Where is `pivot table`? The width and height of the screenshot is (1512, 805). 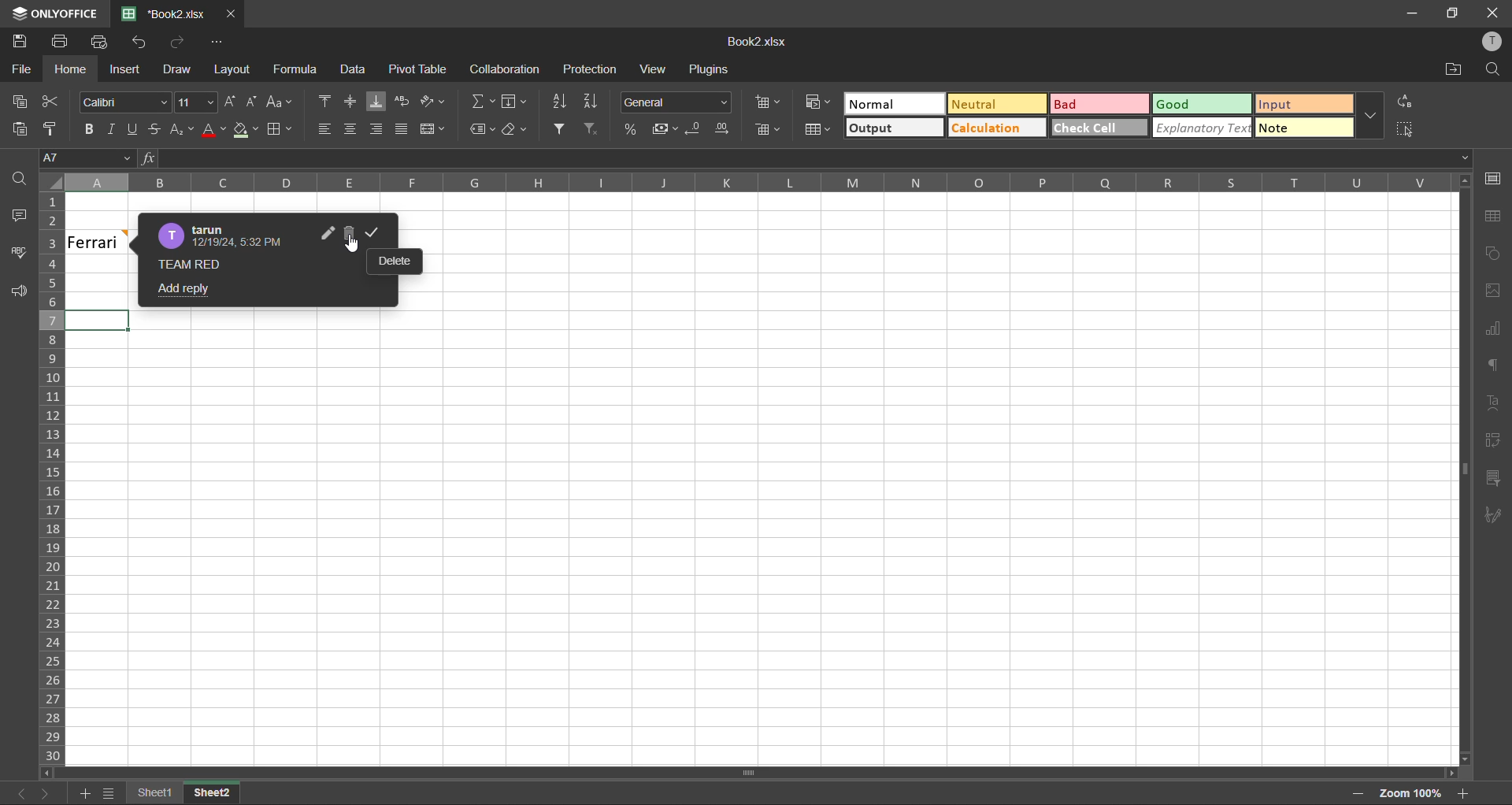 pivot table is located at coordinates (419, 70).